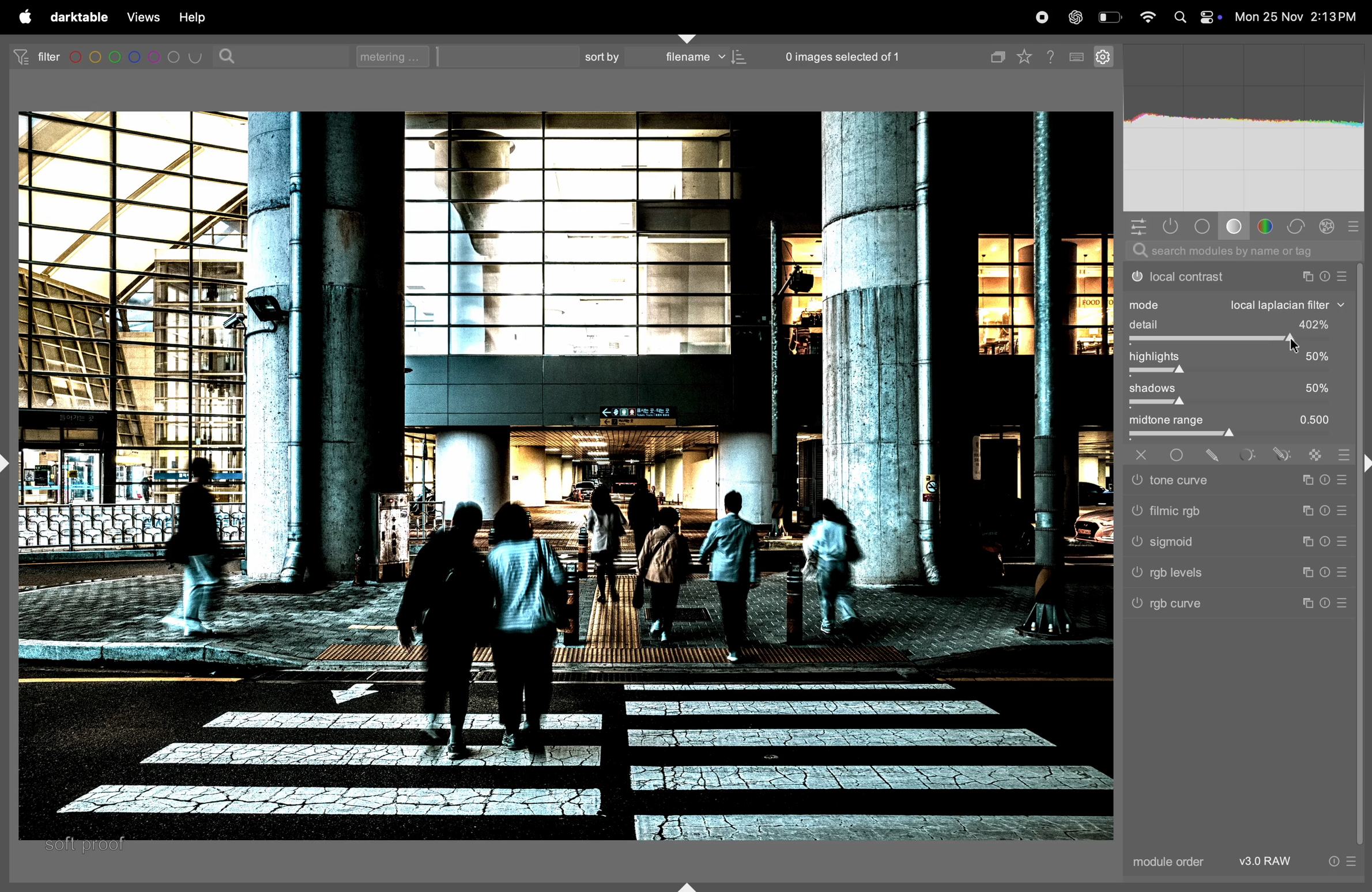  What do you see at coordinates (1216, 456) in the screenshot?
I see `drawn mask` at bounding box center [1216, 456].